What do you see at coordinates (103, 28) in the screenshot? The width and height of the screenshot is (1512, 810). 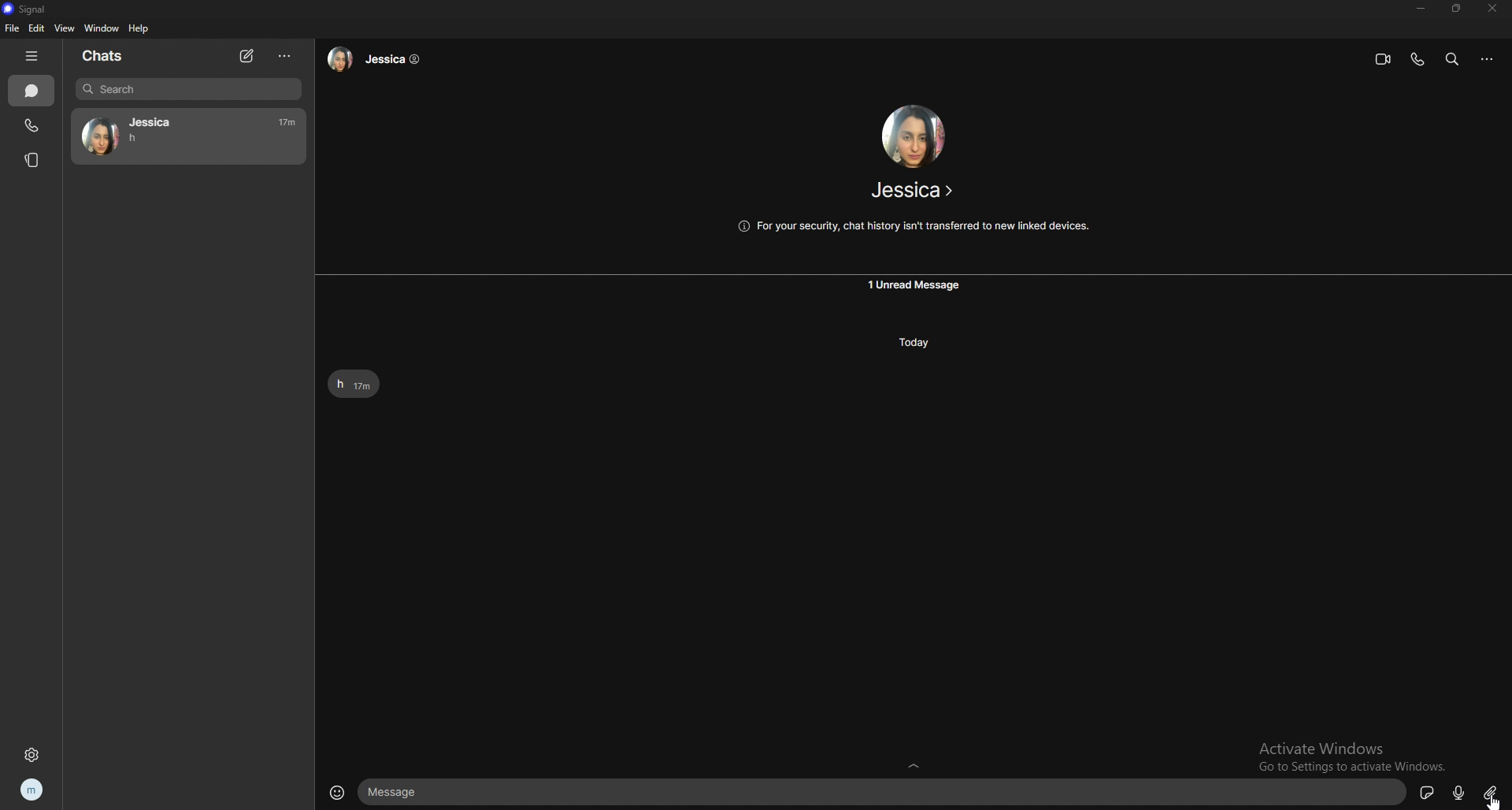 I see `window` at bounding box center [103, 28].